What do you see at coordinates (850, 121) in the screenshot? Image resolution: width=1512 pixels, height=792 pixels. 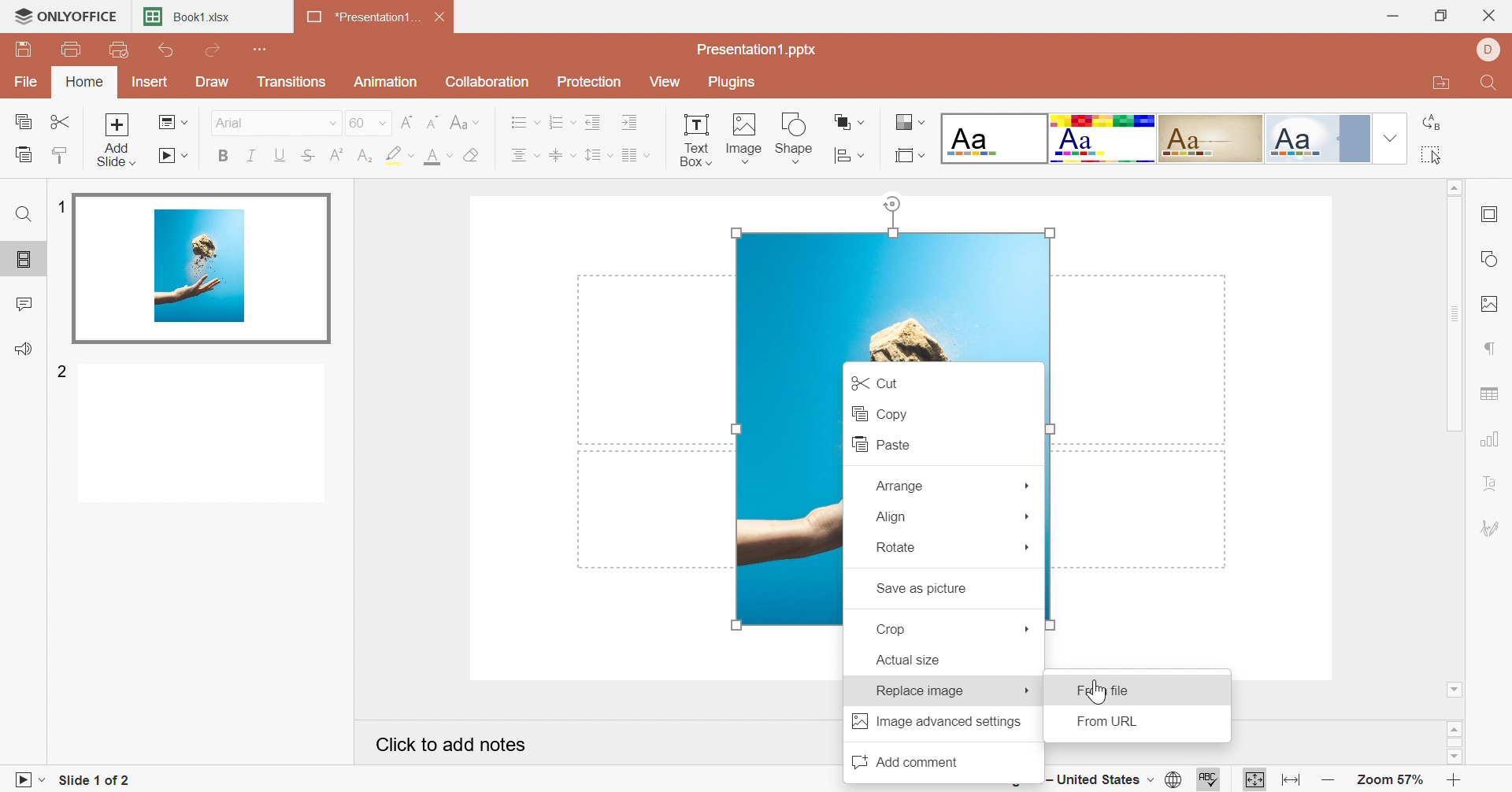 I see `Align shape` at bounding box center [850, 121].